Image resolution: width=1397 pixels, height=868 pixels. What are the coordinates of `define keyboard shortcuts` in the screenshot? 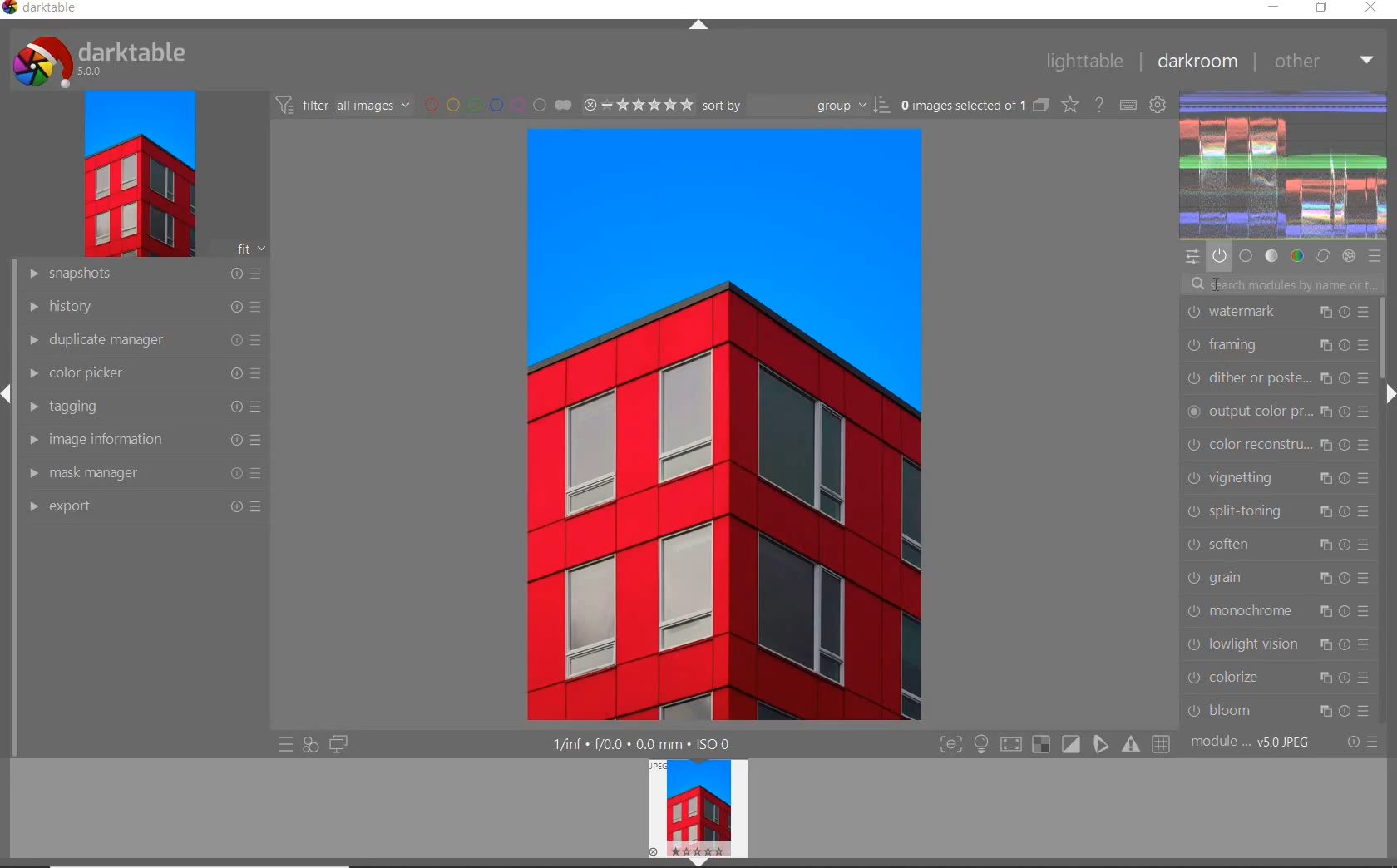 It's located at (1129, 105).